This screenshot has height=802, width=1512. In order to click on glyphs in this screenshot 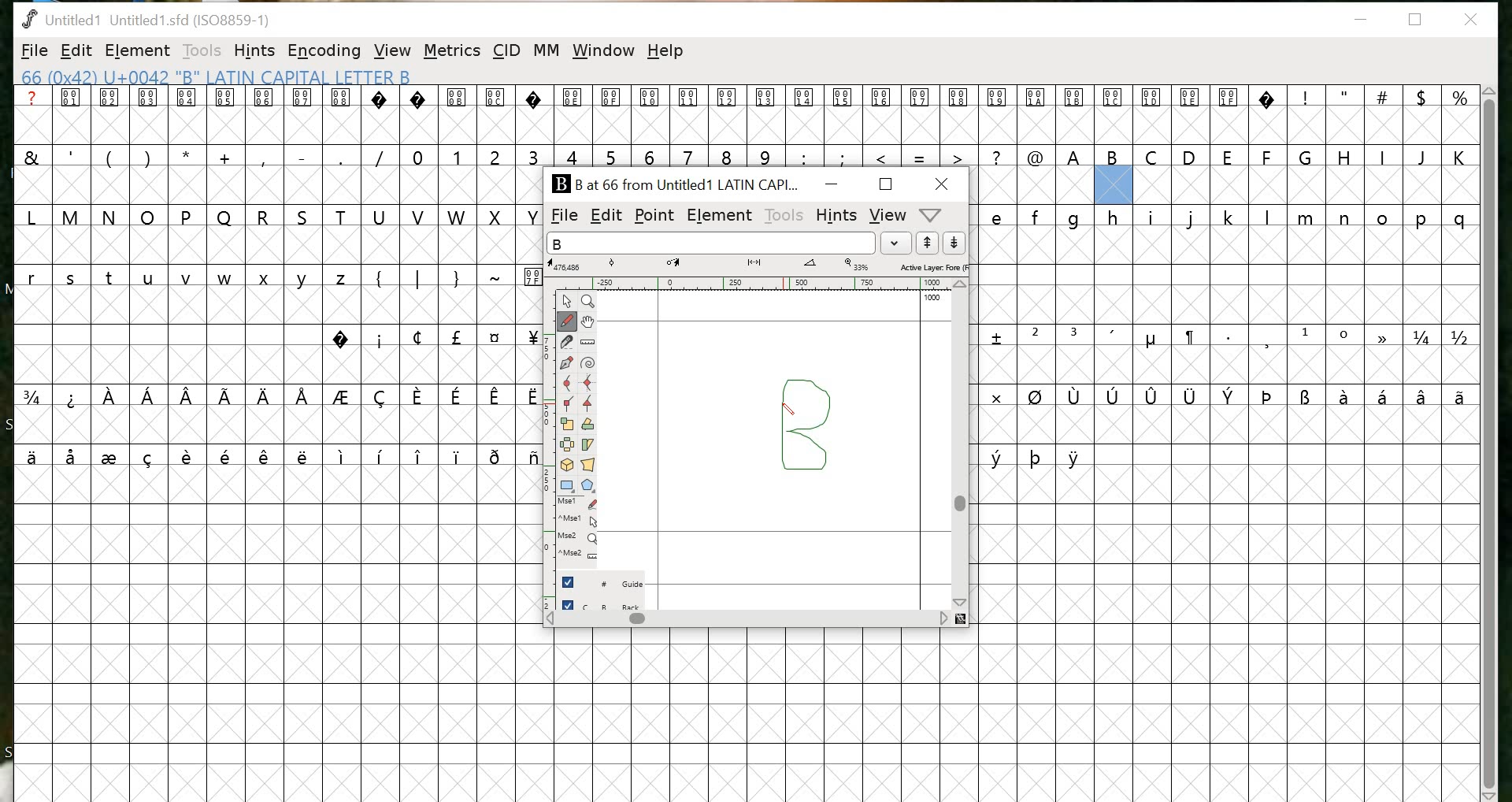, I will do `click(1228, 341)`.